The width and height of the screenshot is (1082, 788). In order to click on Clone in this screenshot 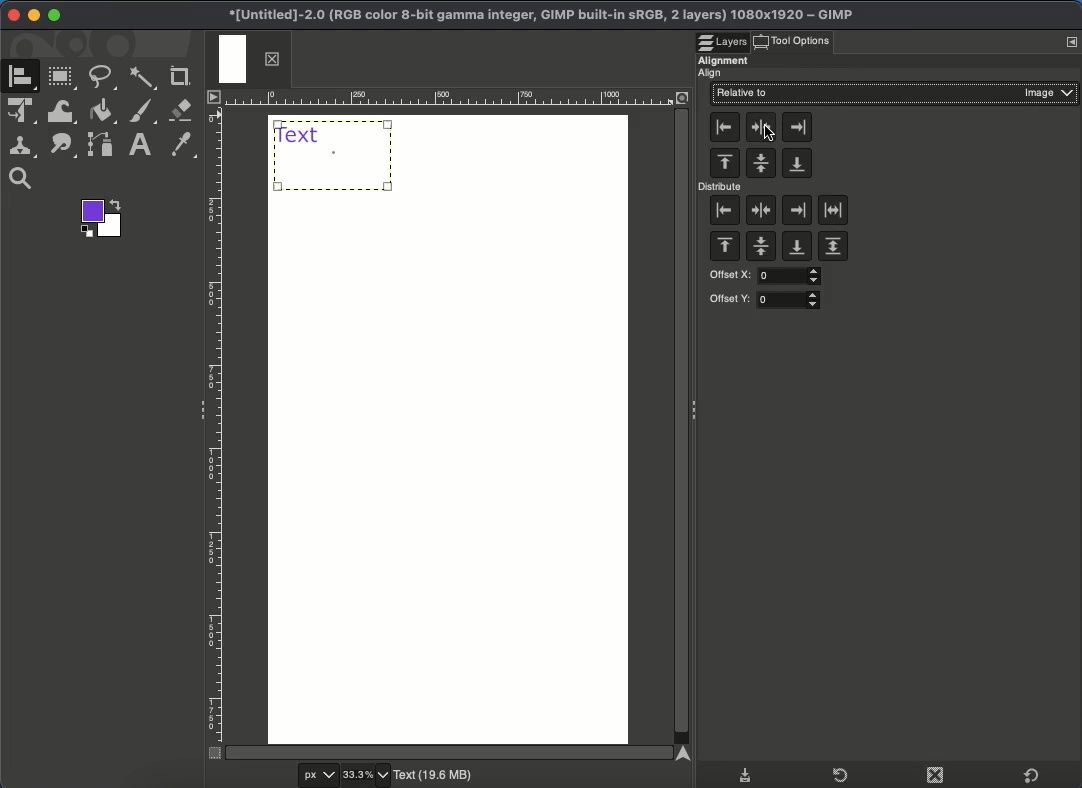, I will do `click(24, 146)`.